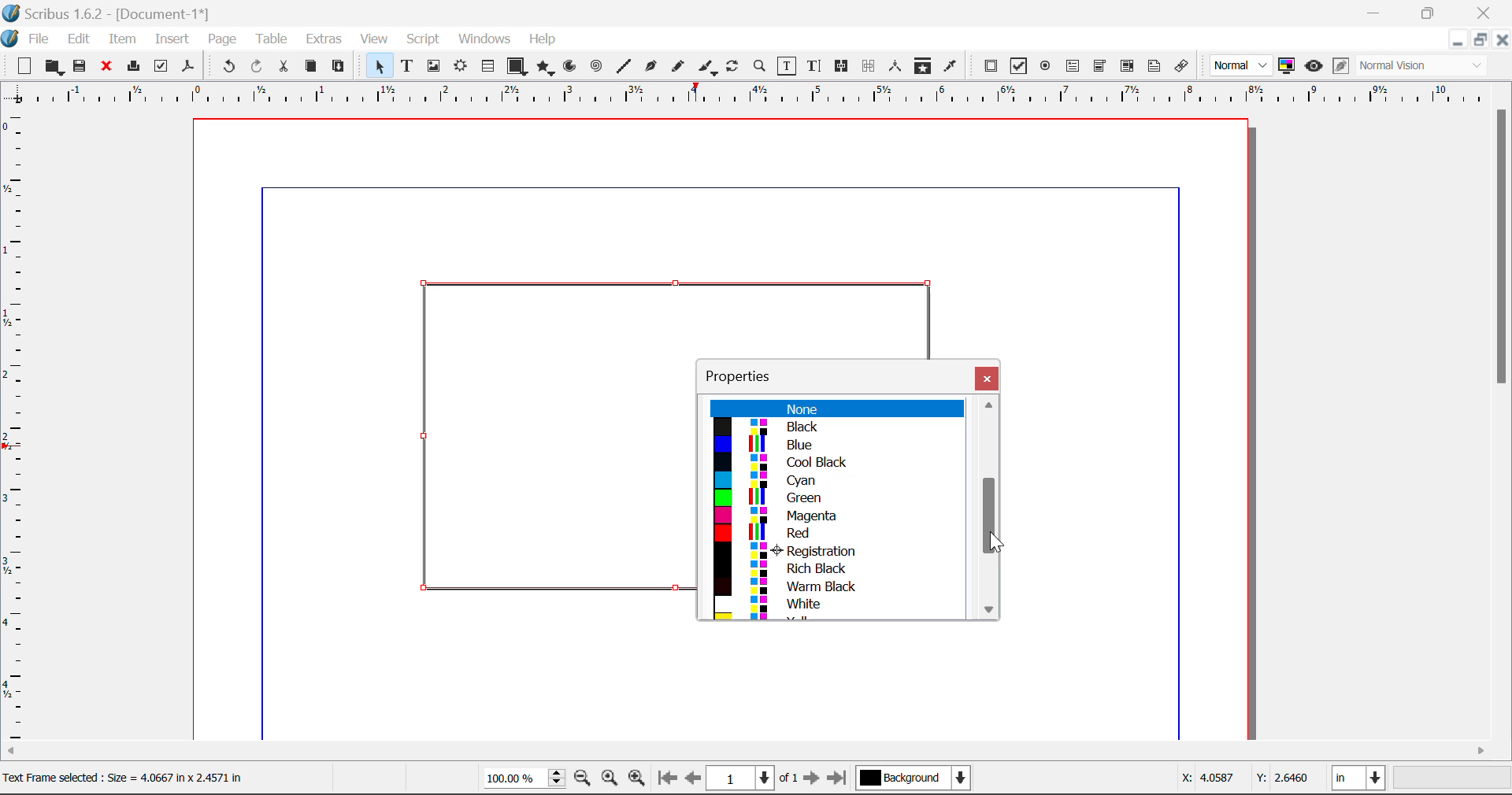 The height and width of the screenshot is (795, 1512). What do you see at coordinates (23, 66) in the screenshot?
I see `New` at bounding box center [23, 66].